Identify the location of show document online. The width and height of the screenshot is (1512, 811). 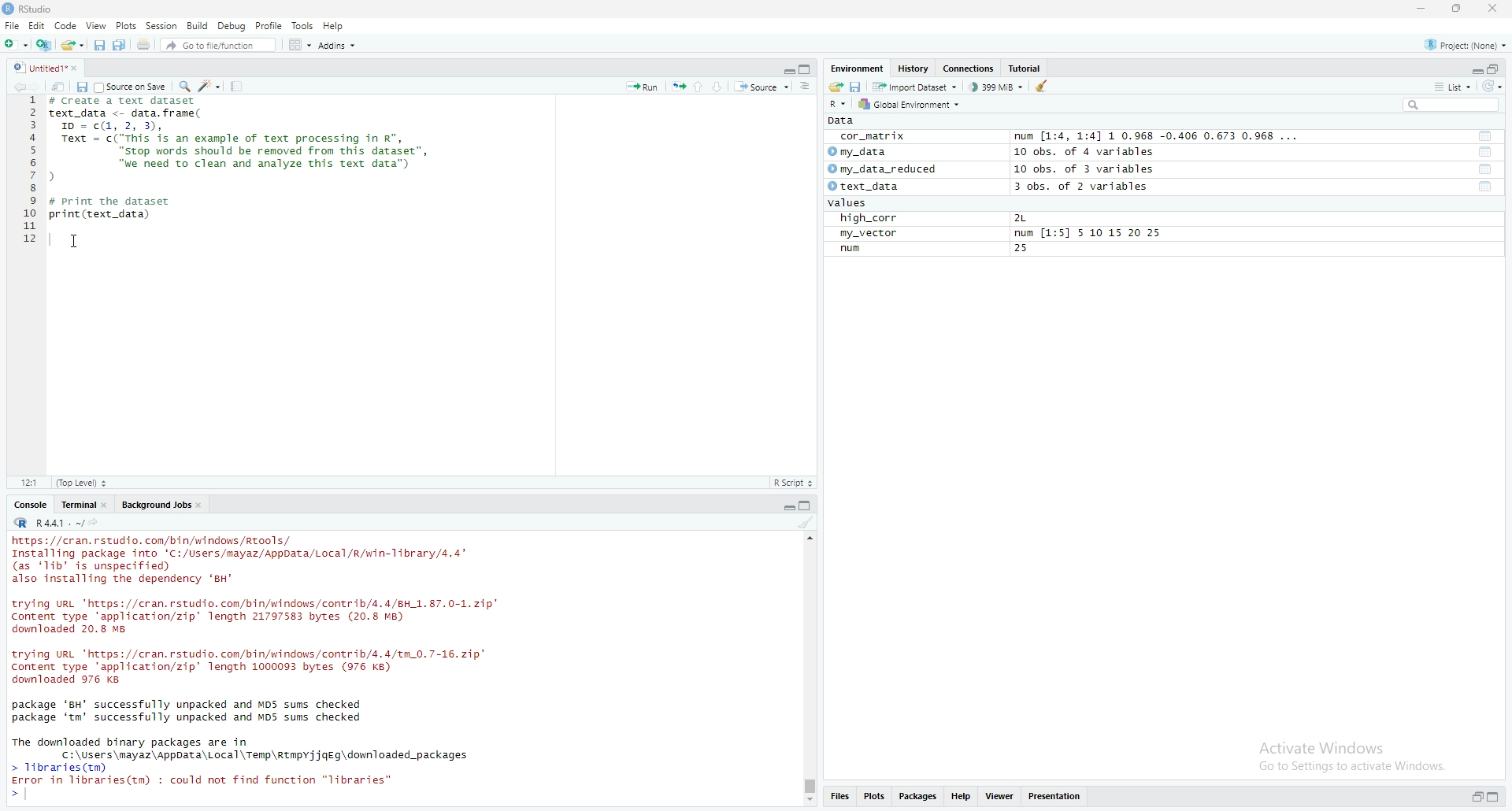
(806, 87).